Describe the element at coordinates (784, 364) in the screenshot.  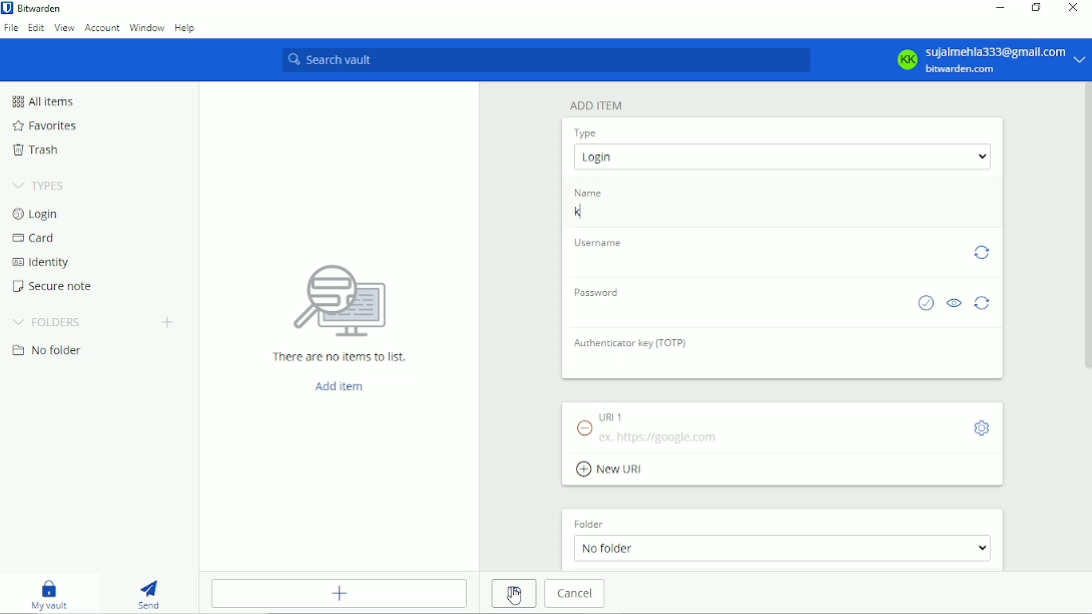
I see `add authenticator key` at that location.